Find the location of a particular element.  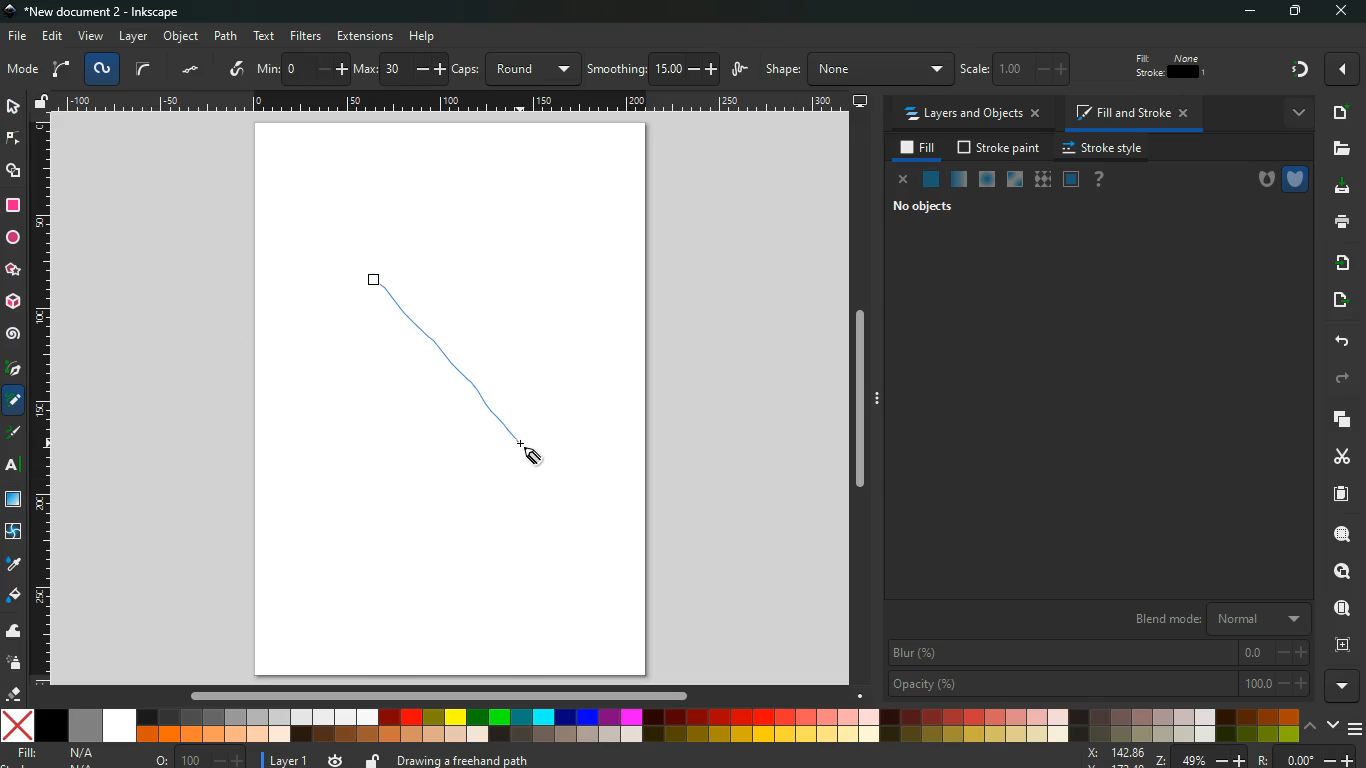

path is located at coordinates (226, 35).